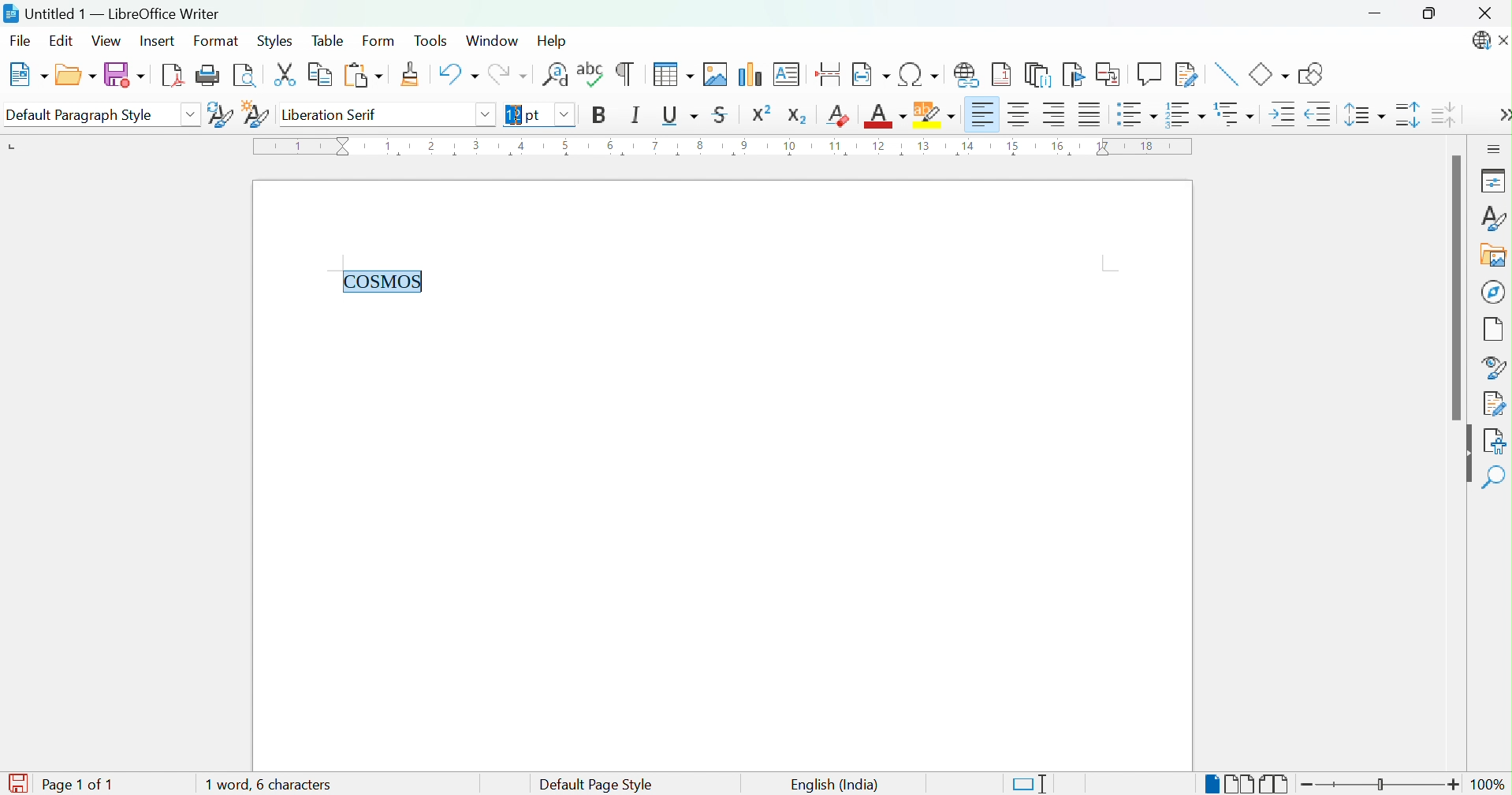  I want to click on Find, so click(1496, 477).